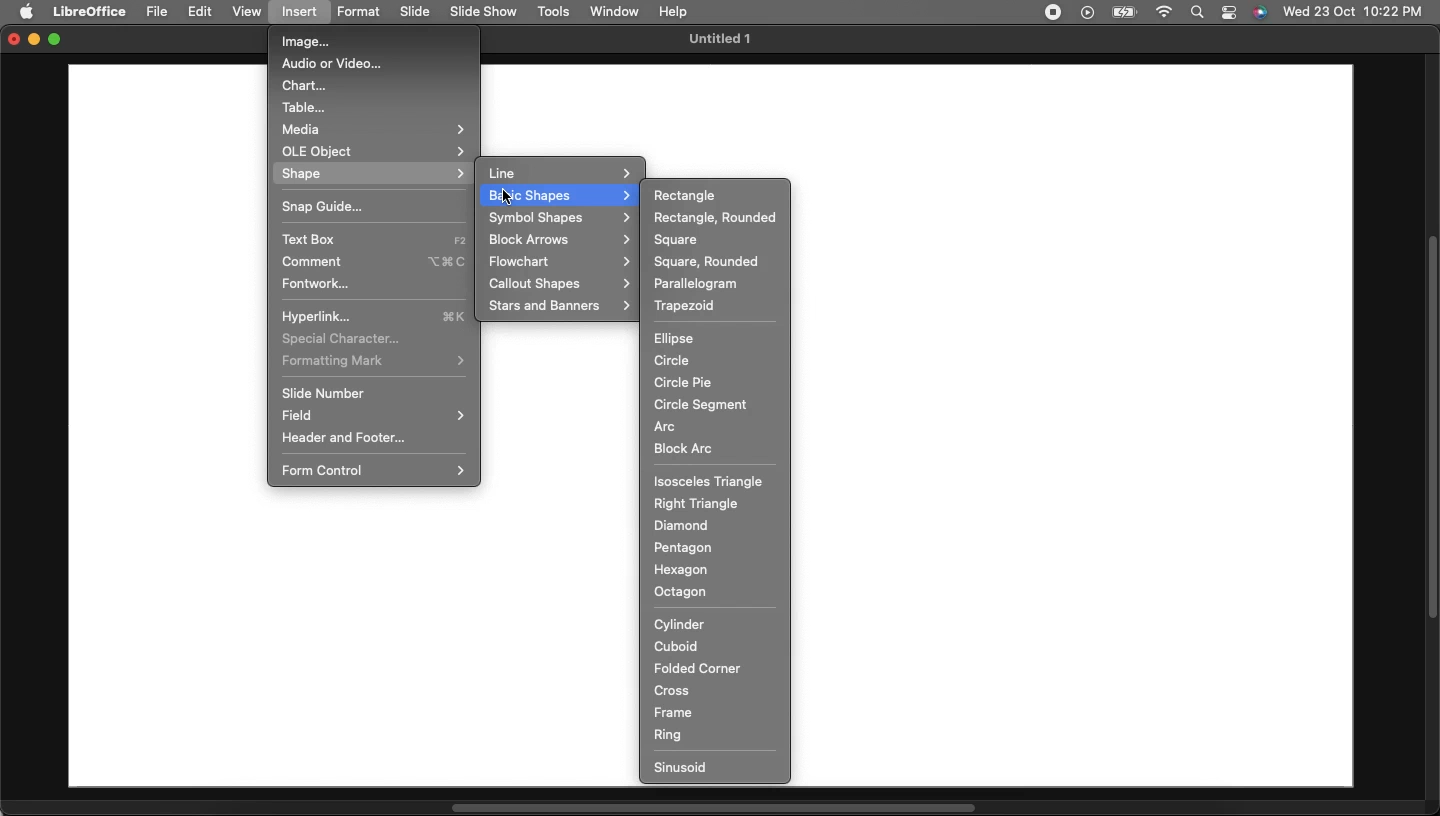 The height and width of the screenshot is (816, 1440). I want to click on Charge, so click(1122, 12).